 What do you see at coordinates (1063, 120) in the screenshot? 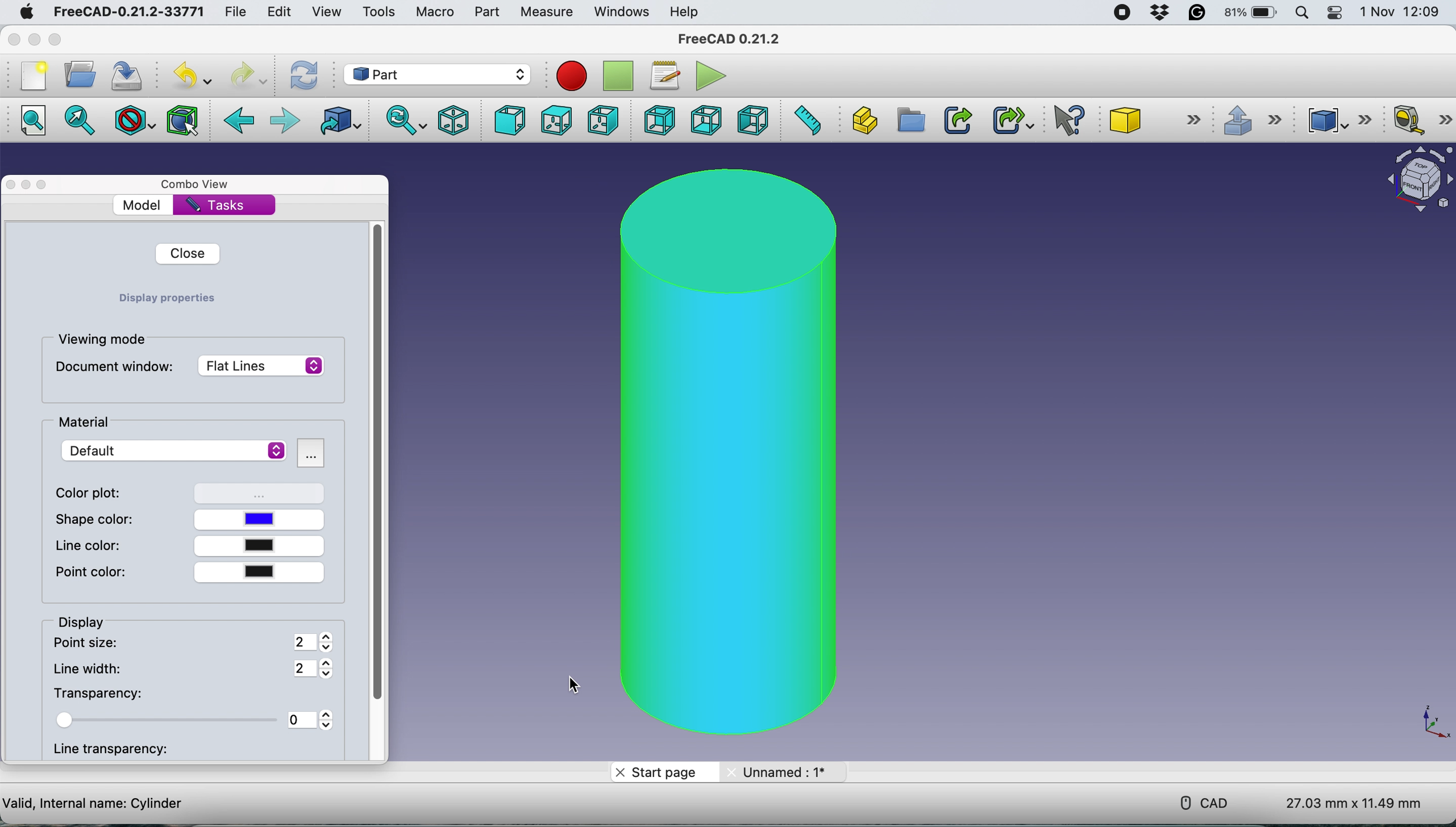
I see `what's this` at bounding box center [1063, 120].